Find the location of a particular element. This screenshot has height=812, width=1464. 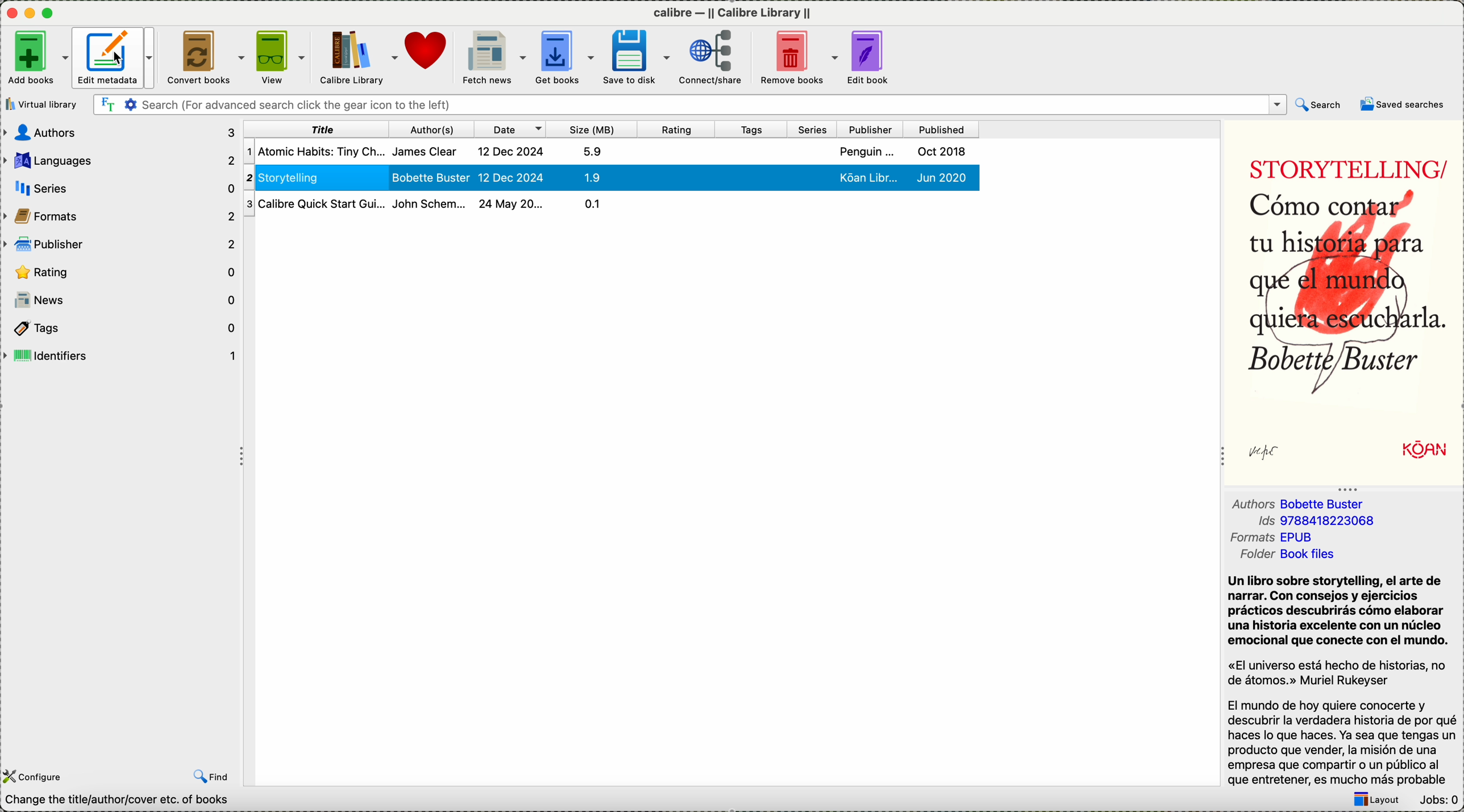

calibre quick start guide is located at coordinates (441, 203).